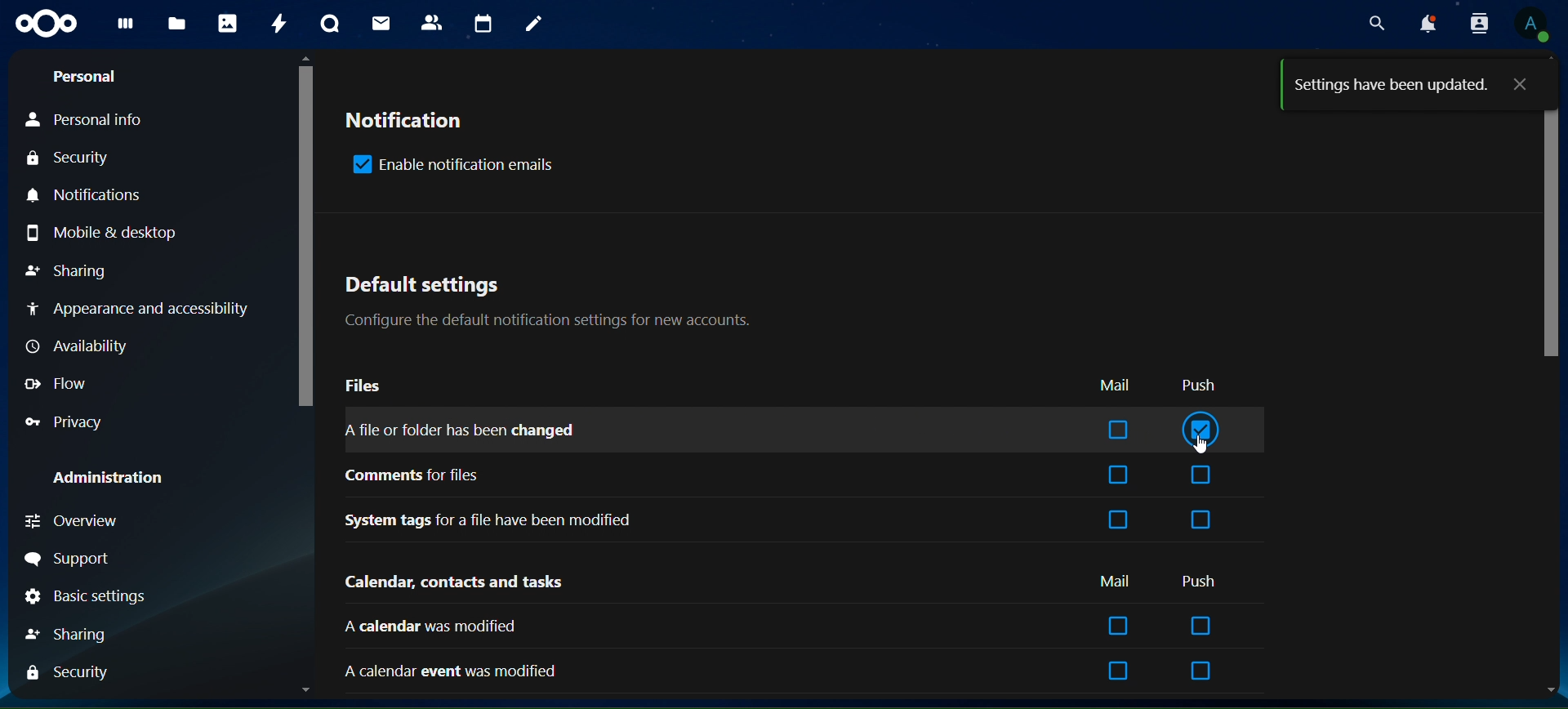  Describe the element at coordinates (74, 346) in the screenshot. I see `availability` at that location.